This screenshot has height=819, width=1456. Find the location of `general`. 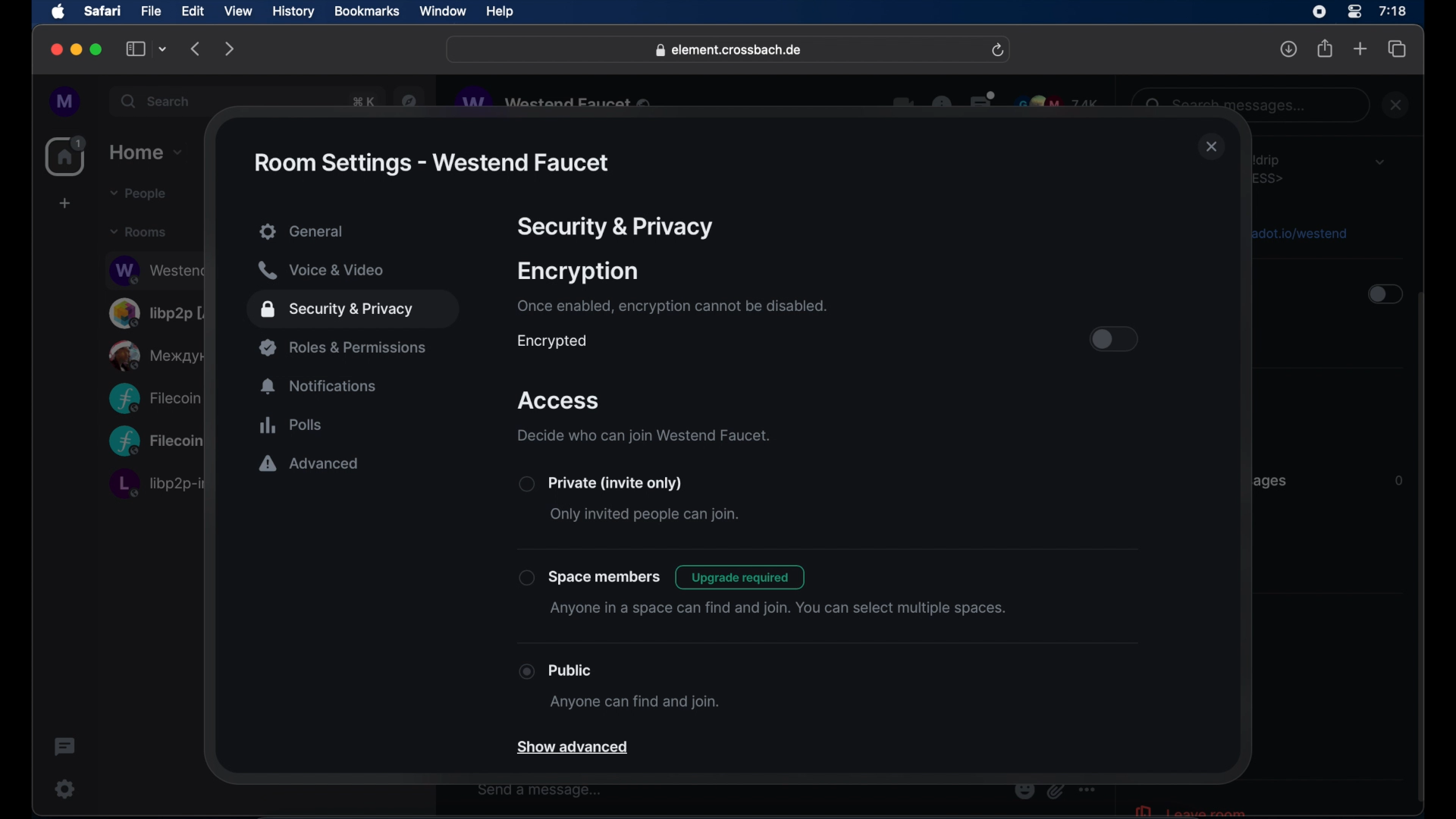

general is located at coordinates (355, 233).